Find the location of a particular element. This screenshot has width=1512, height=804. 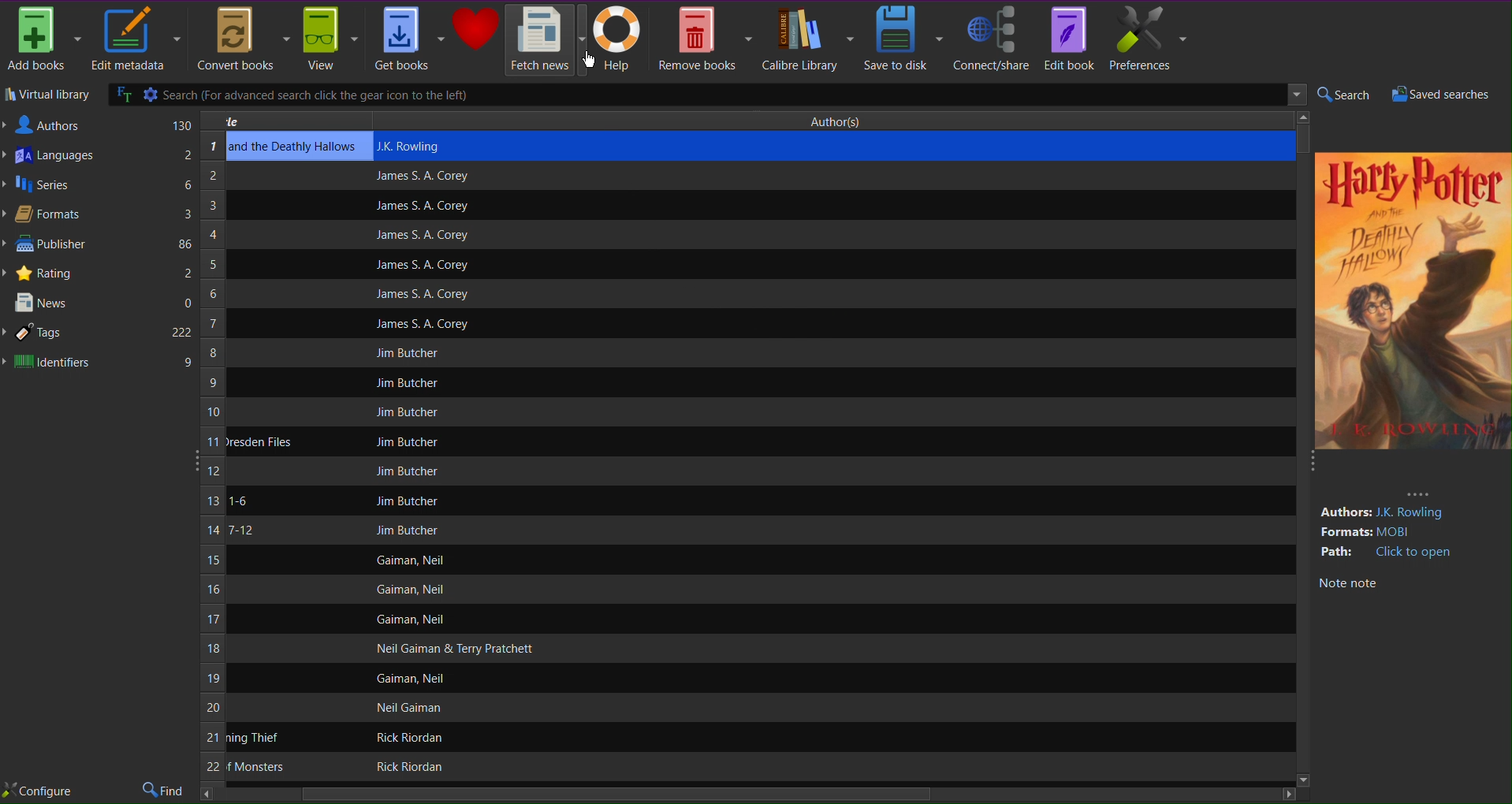

Saved Searches is located at coordinates (1447, 95).